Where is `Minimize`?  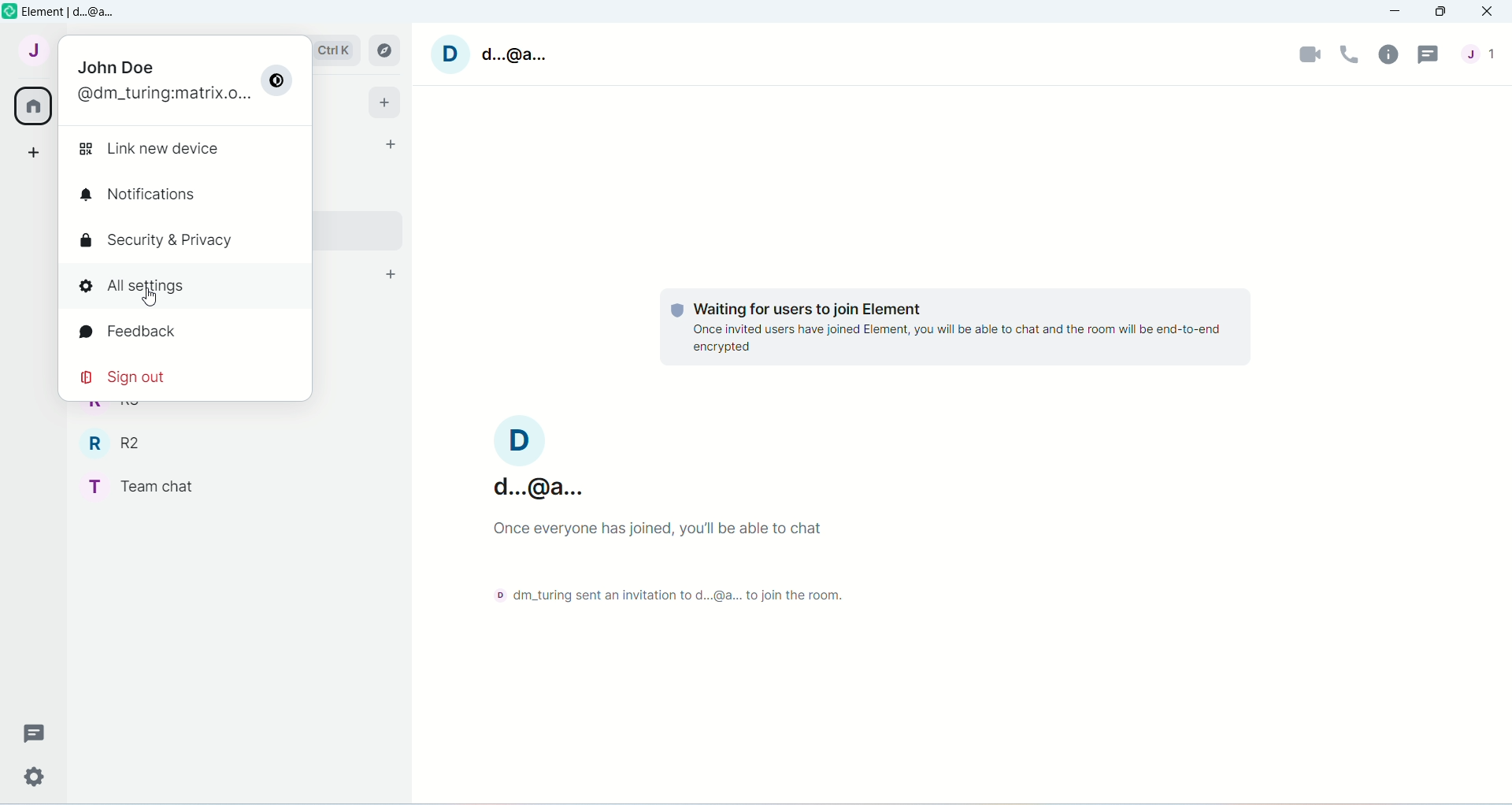
Minimize is located at coordinates (1397, 11).